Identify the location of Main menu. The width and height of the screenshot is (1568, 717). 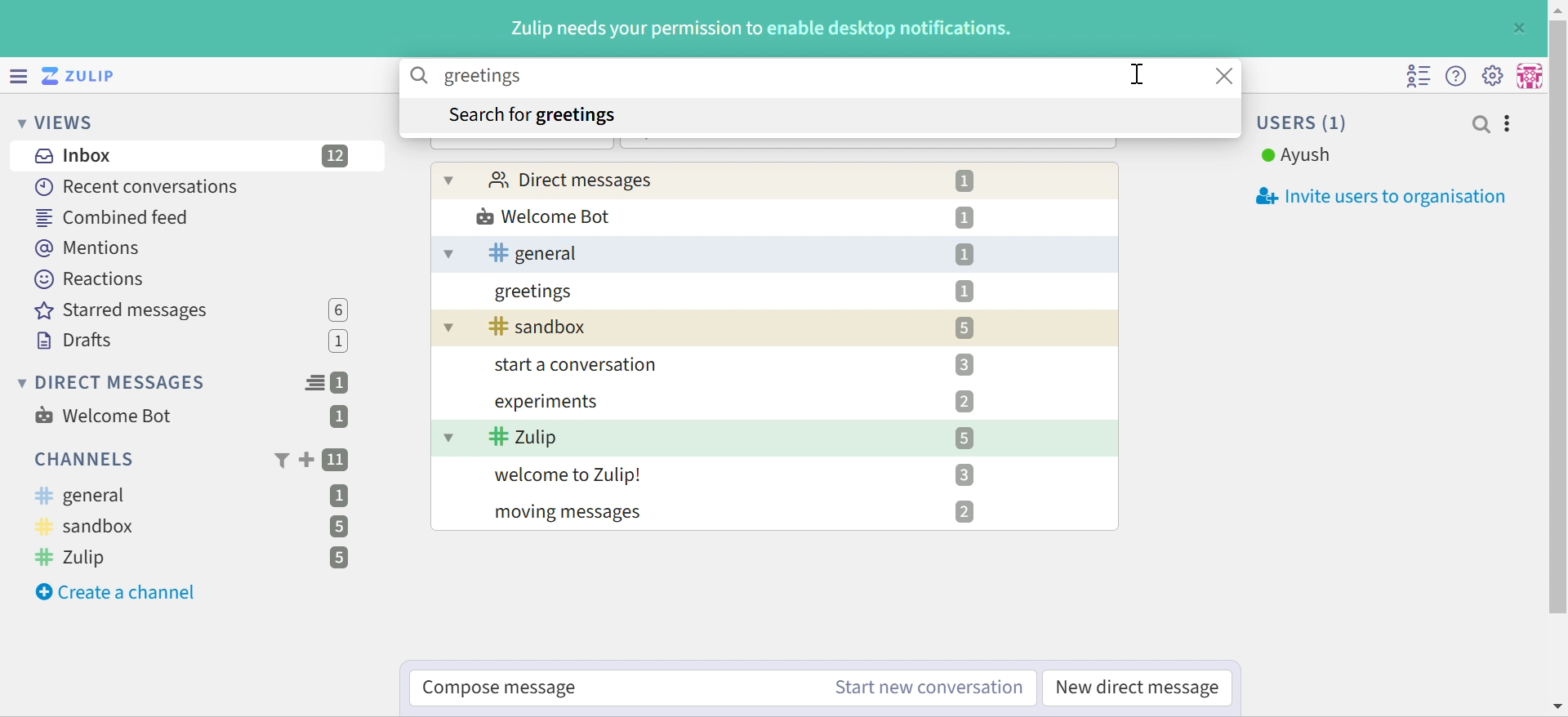
(1495, 75).